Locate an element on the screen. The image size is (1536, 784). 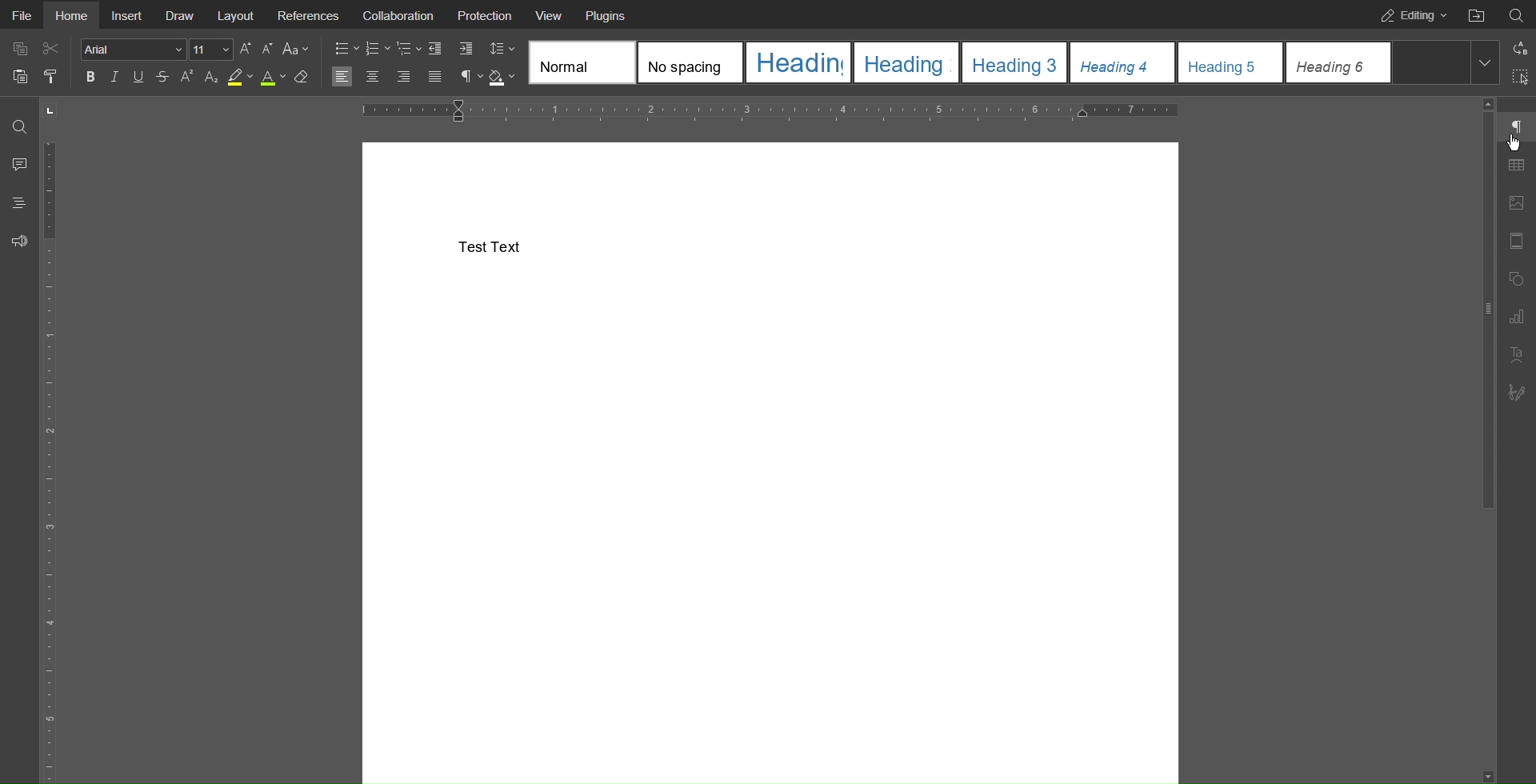
Open File Location is located at coordinates (1475, 14).